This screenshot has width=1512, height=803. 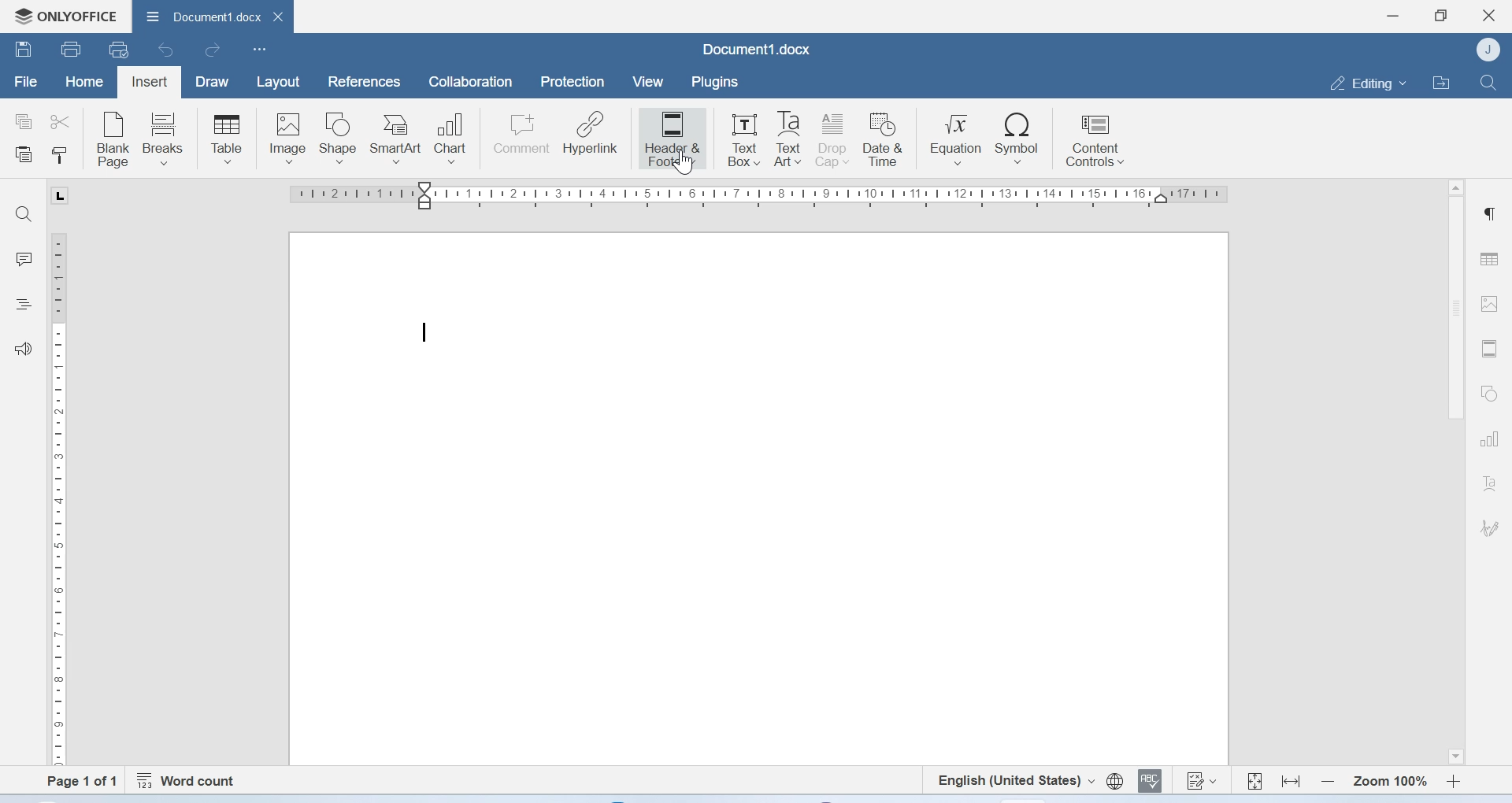 I want to click on Home, so click(x=85, y=83).